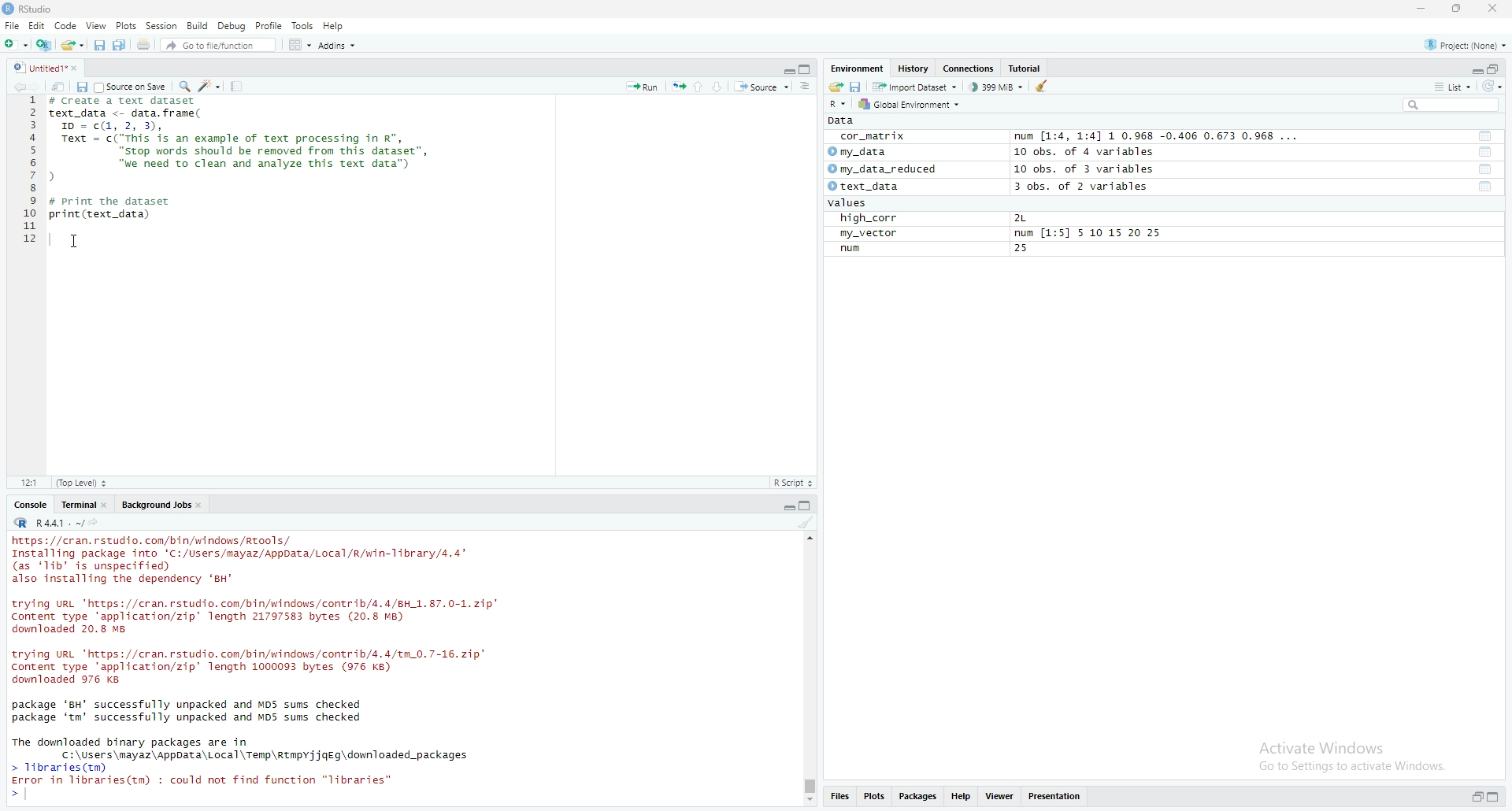 The image size is (1512, 811). What do you see at coordinates (25, 794) in the screenshot?
I see `text cursor` at bounding box center [25, 794].